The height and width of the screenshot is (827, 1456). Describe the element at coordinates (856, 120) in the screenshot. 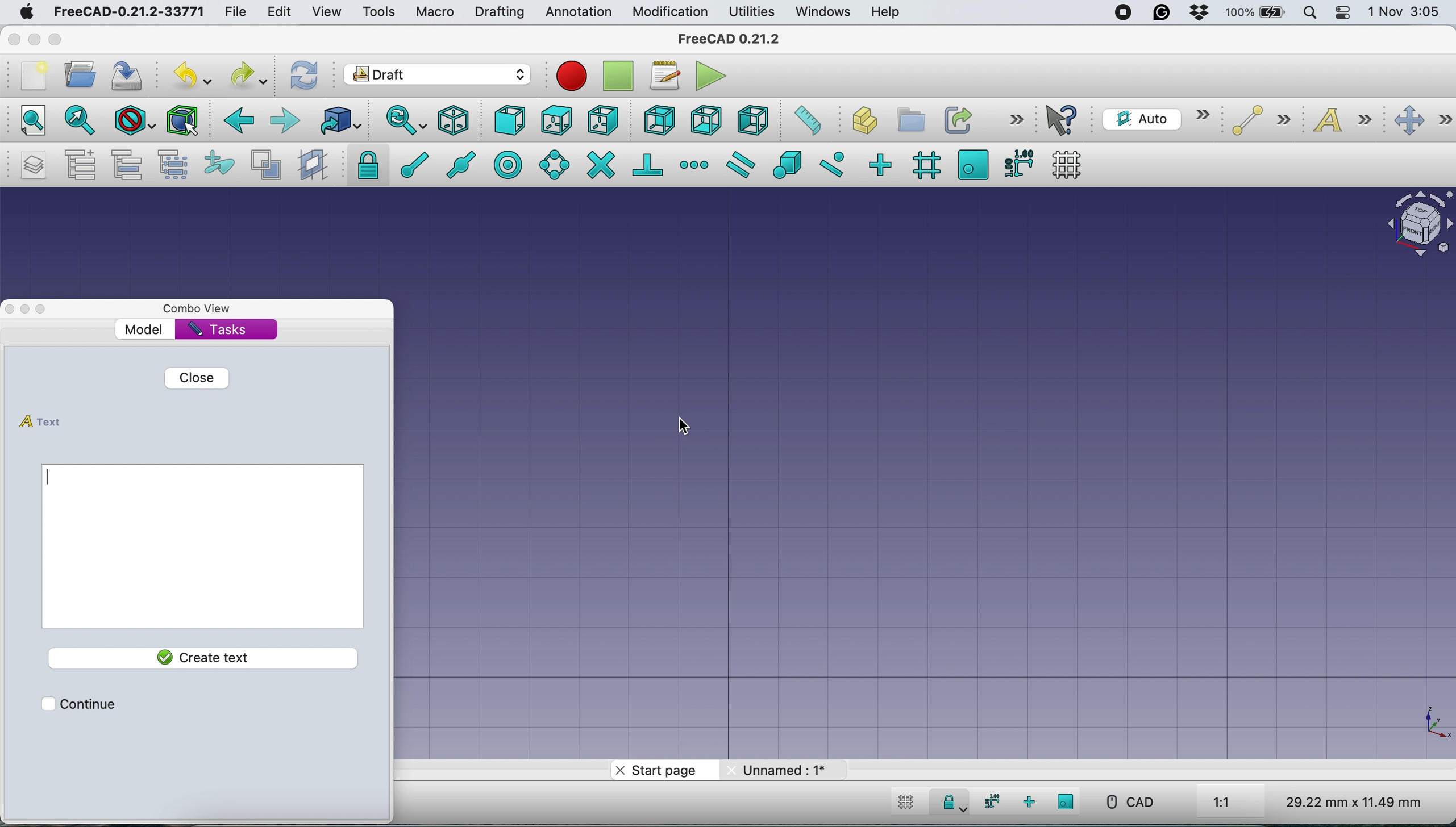

I see `create object` at that location.